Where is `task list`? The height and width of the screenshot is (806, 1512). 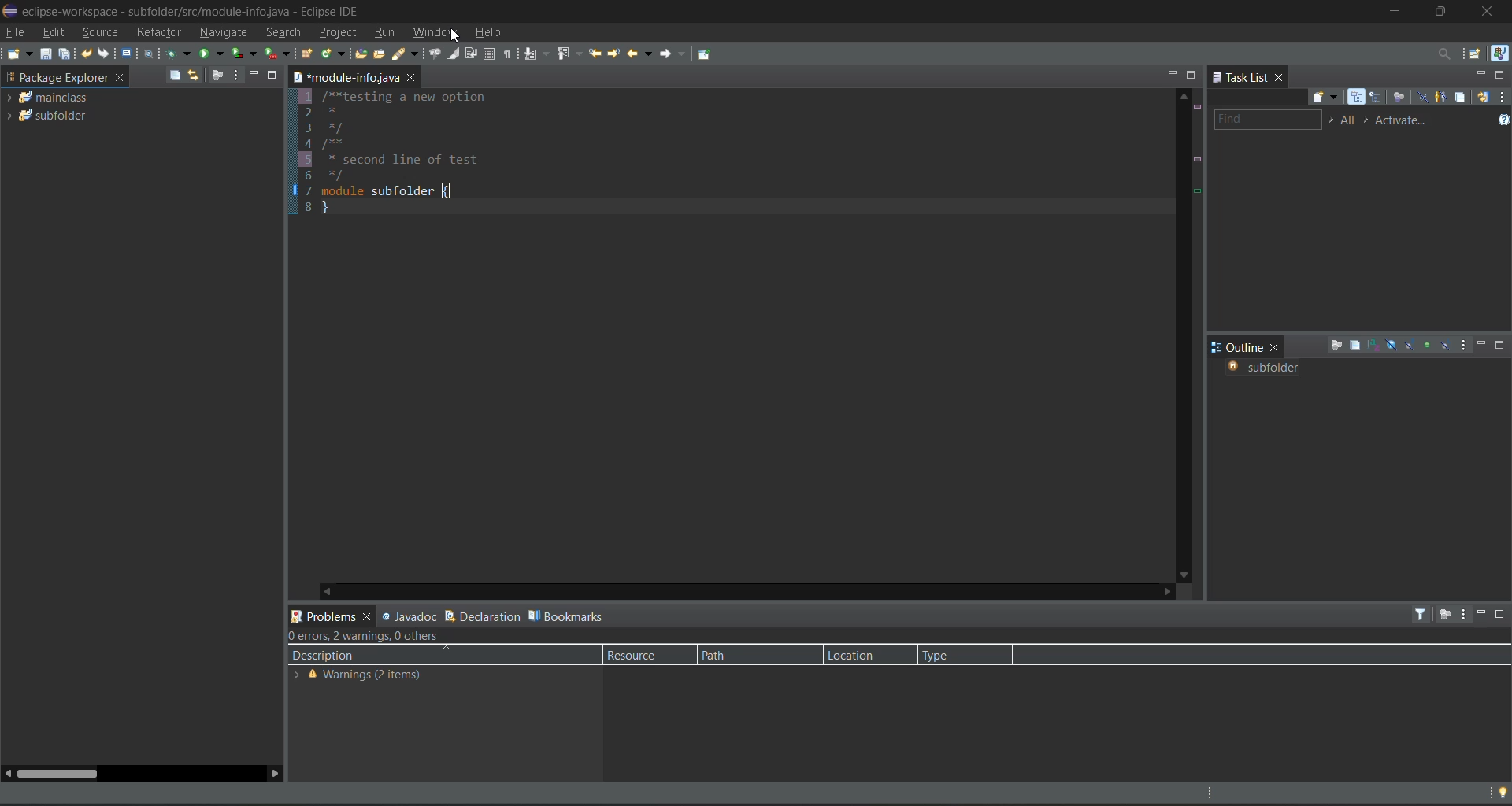
task list is located at coordinates (1239, 76).